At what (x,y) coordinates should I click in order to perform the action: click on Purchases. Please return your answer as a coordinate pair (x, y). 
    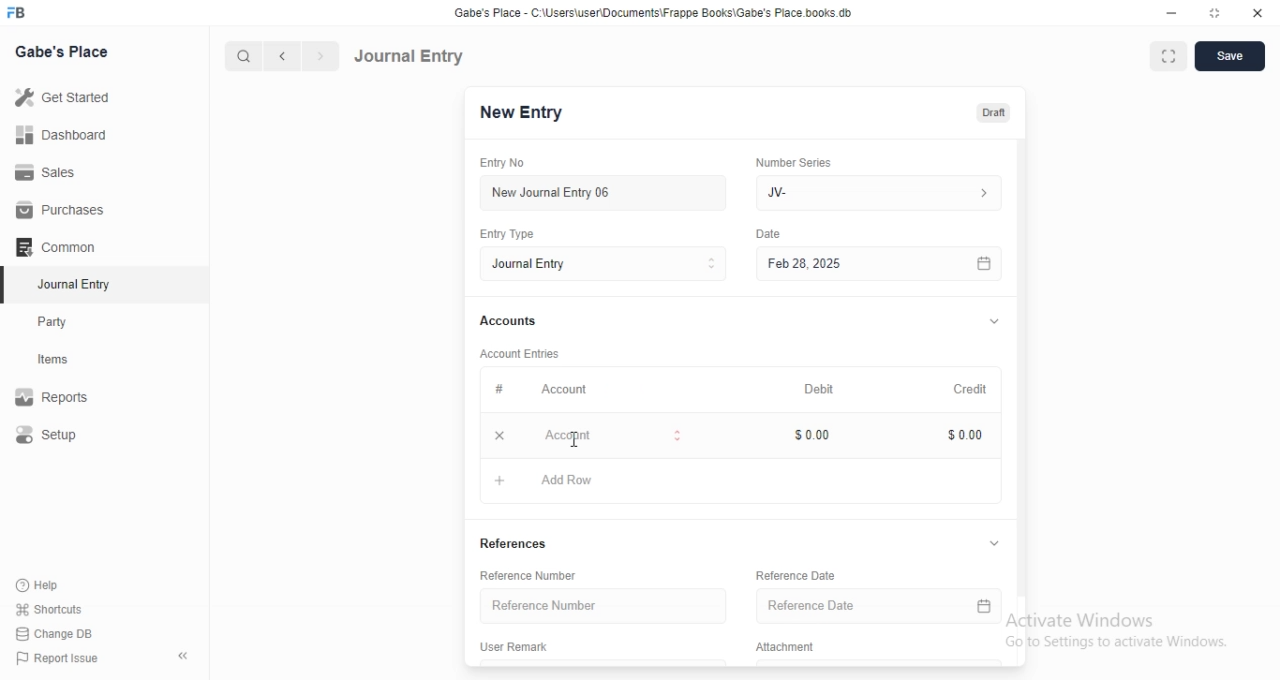
    Looking at the image, I should click on (63, 210).